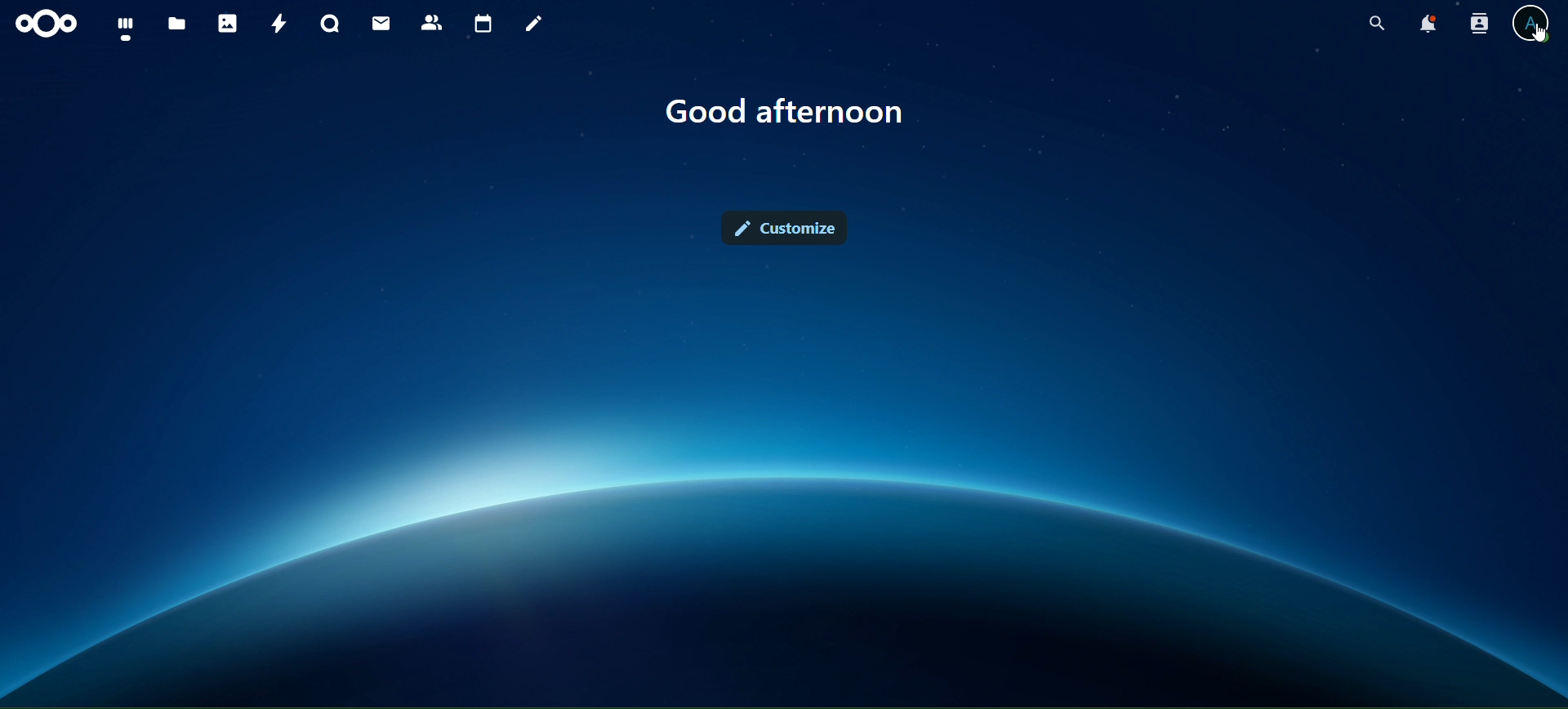  What do you see at coordinates (381, 24) in the screenshot?
I see `mail` at bounding box center [381, 24].